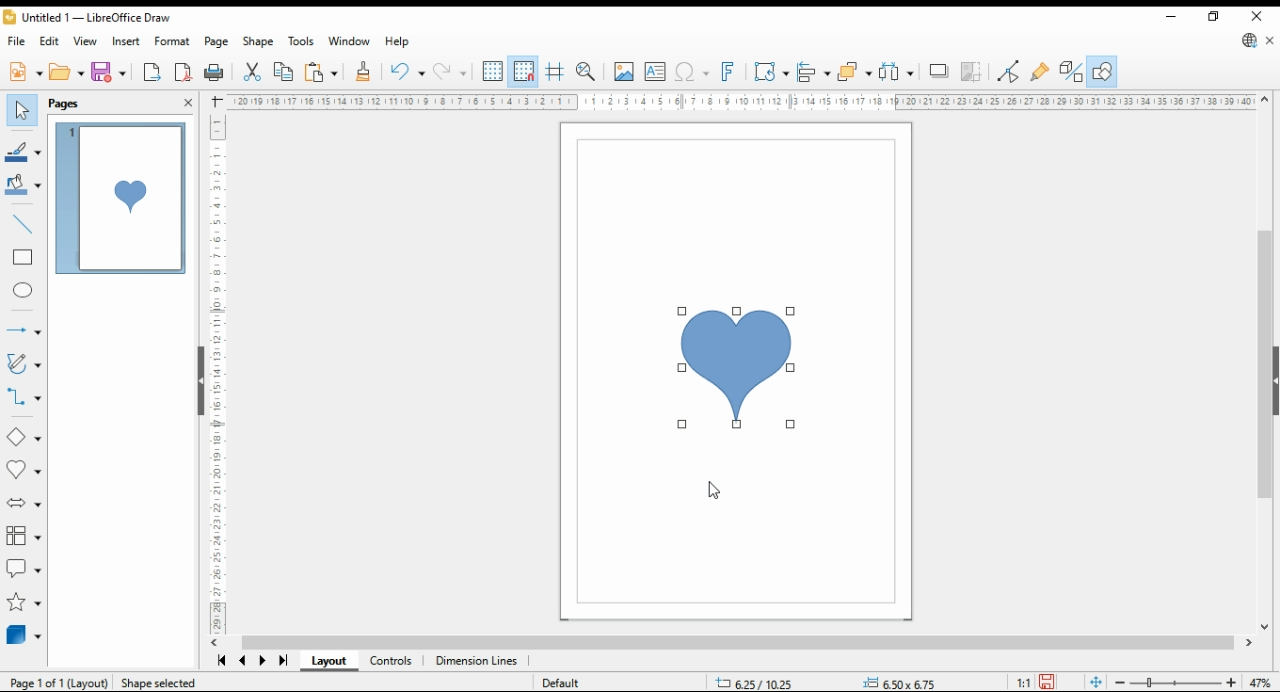  I want to click on insert line, so click(23, 222).